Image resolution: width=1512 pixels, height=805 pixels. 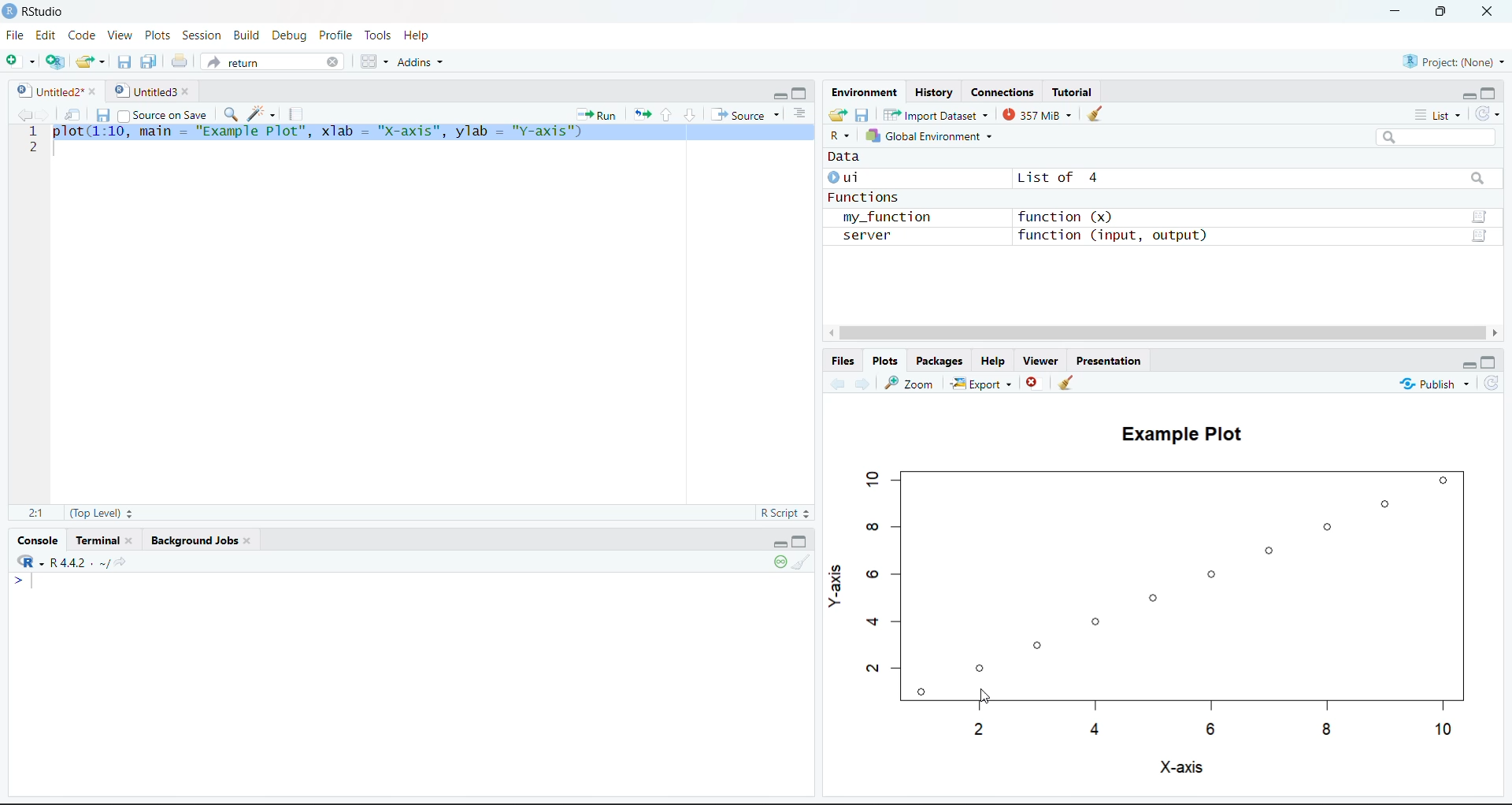 I want to click on Untitled3*, so click(x=151, y=88).